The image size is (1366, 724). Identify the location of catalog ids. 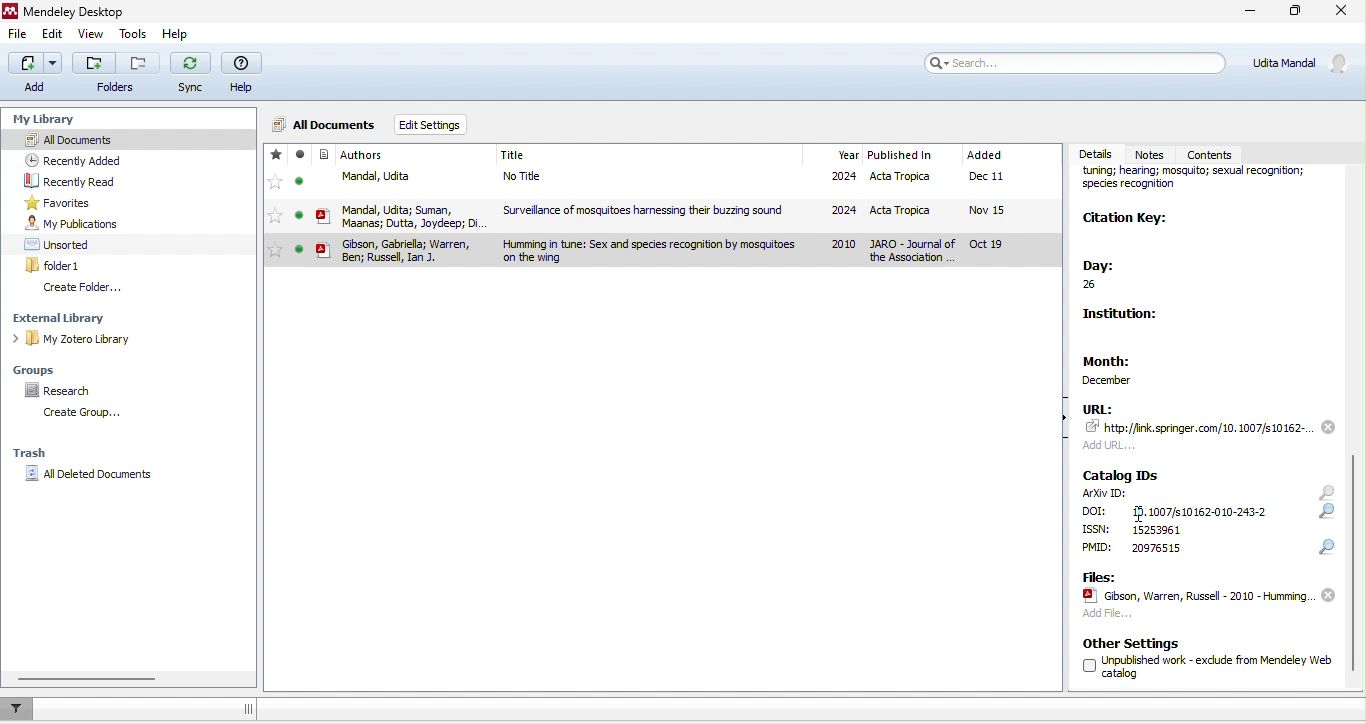
(1122, 475).